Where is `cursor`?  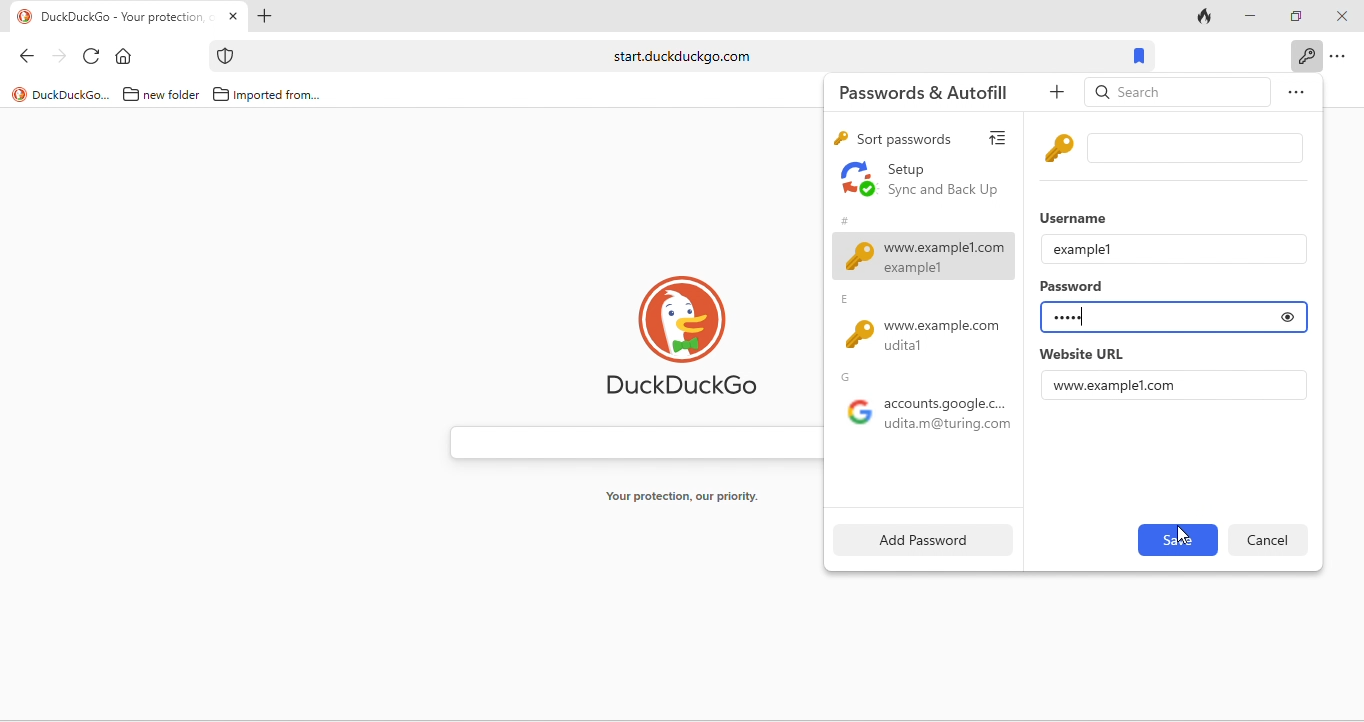
cursor is located at coordinates (1185, 535).